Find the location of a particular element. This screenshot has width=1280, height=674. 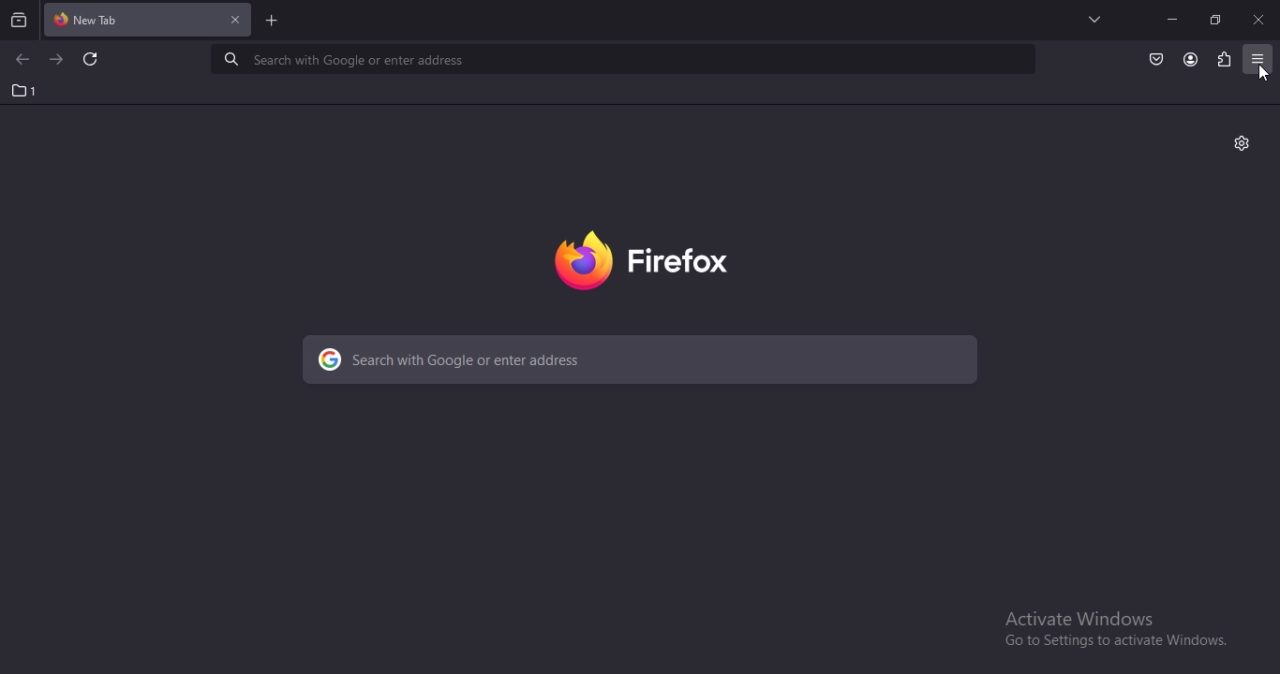

save to pocket is located at coordinates (1154, 60).